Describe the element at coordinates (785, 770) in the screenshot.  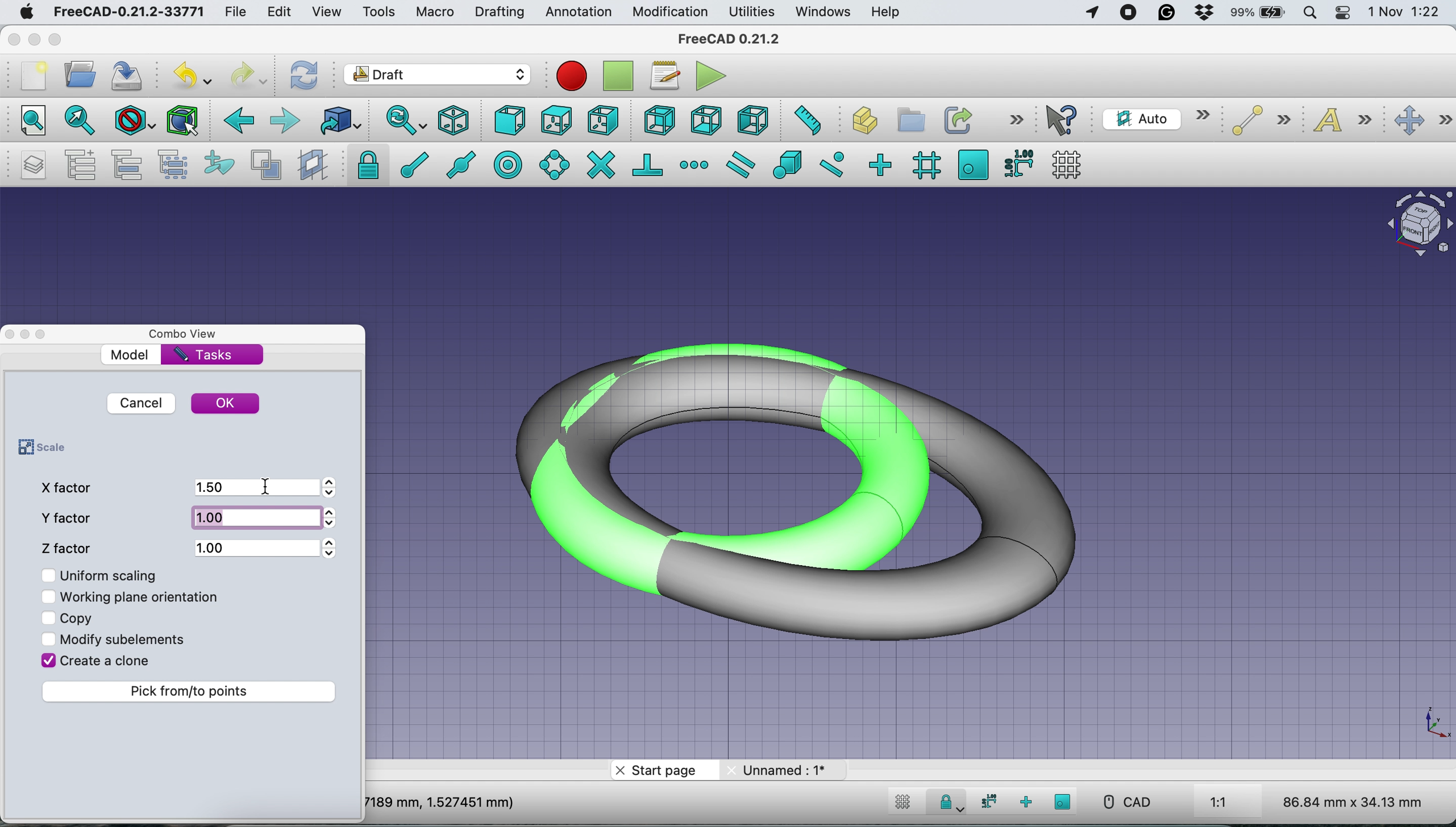
I see `unnamed: 1*` at that location.